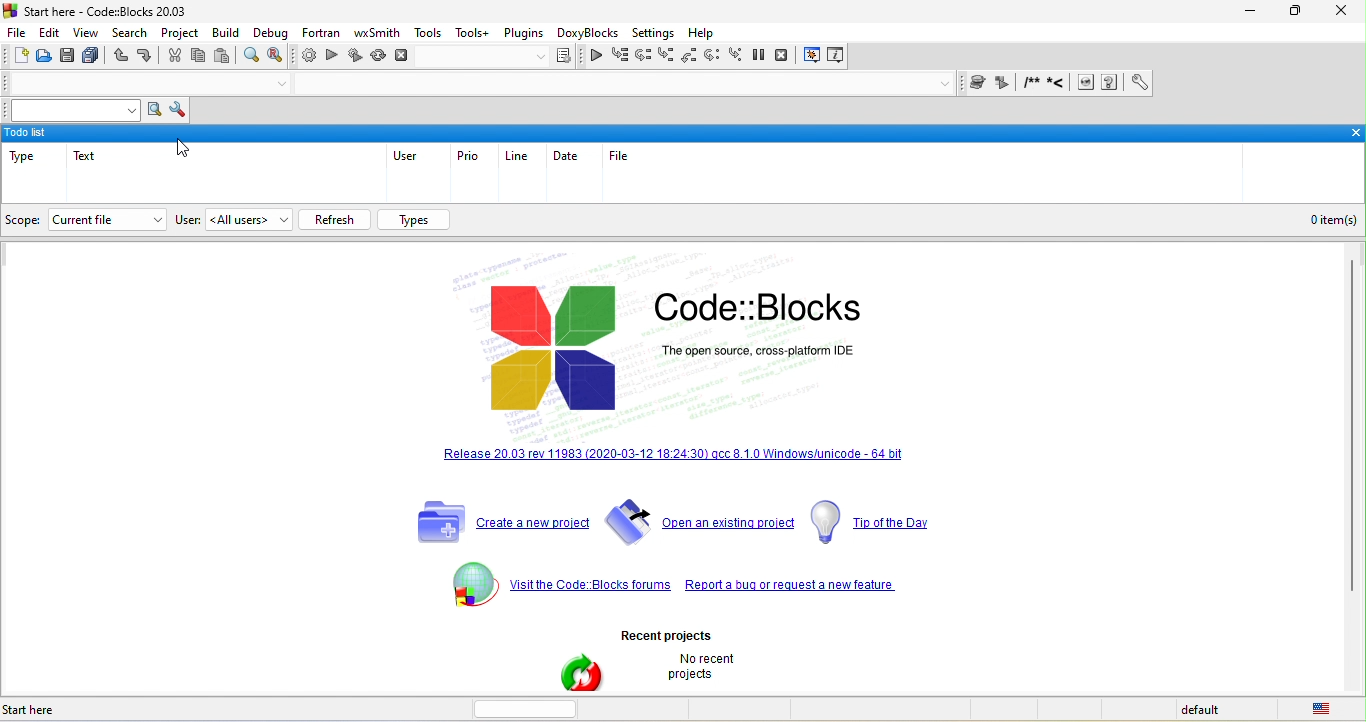 This screenshot has height=722, width=1366. What do you see at coordinates (470, 582) in the screenshot?
I see `sign` at bounding box center [470, 582].